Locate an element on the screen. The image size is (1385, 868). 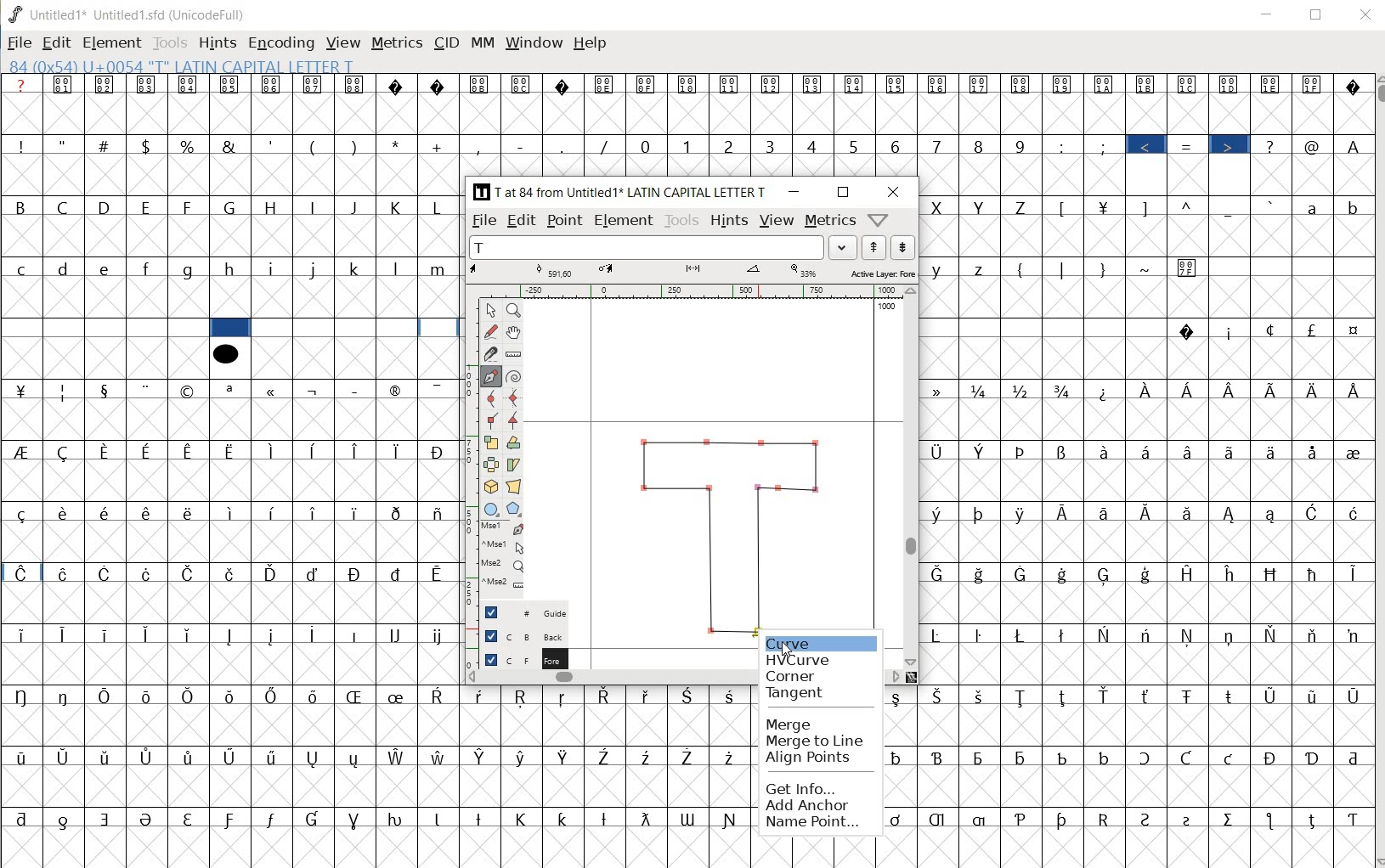
Symbol is located at coordinates (314, 696).